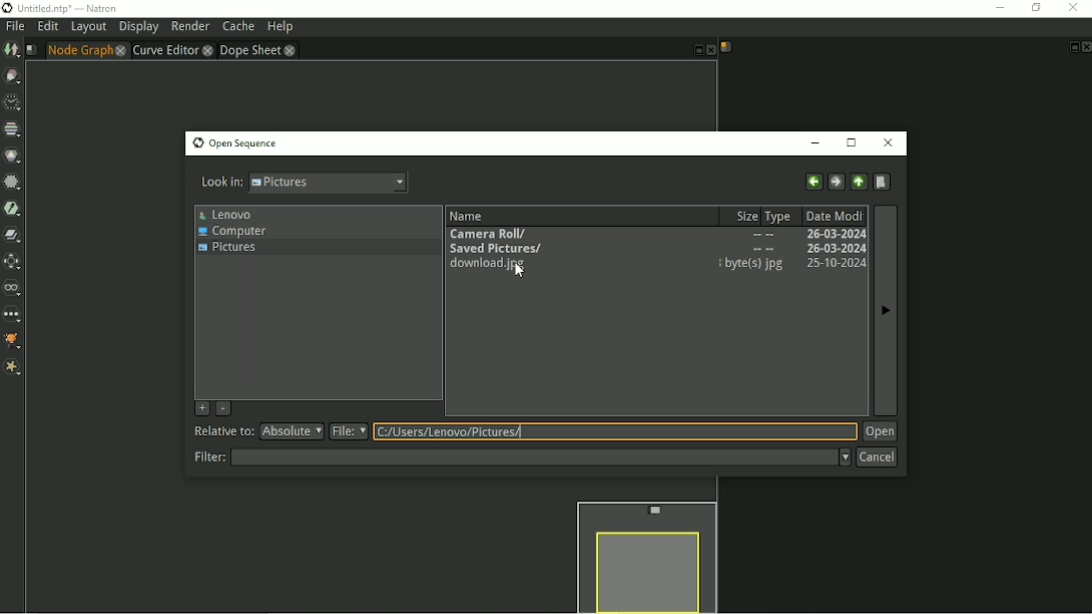 The height and width of the screenshot is (614, 1092). Describe the element at coordinates (812, 182) in the screenshot. I see `Go back` at that location.